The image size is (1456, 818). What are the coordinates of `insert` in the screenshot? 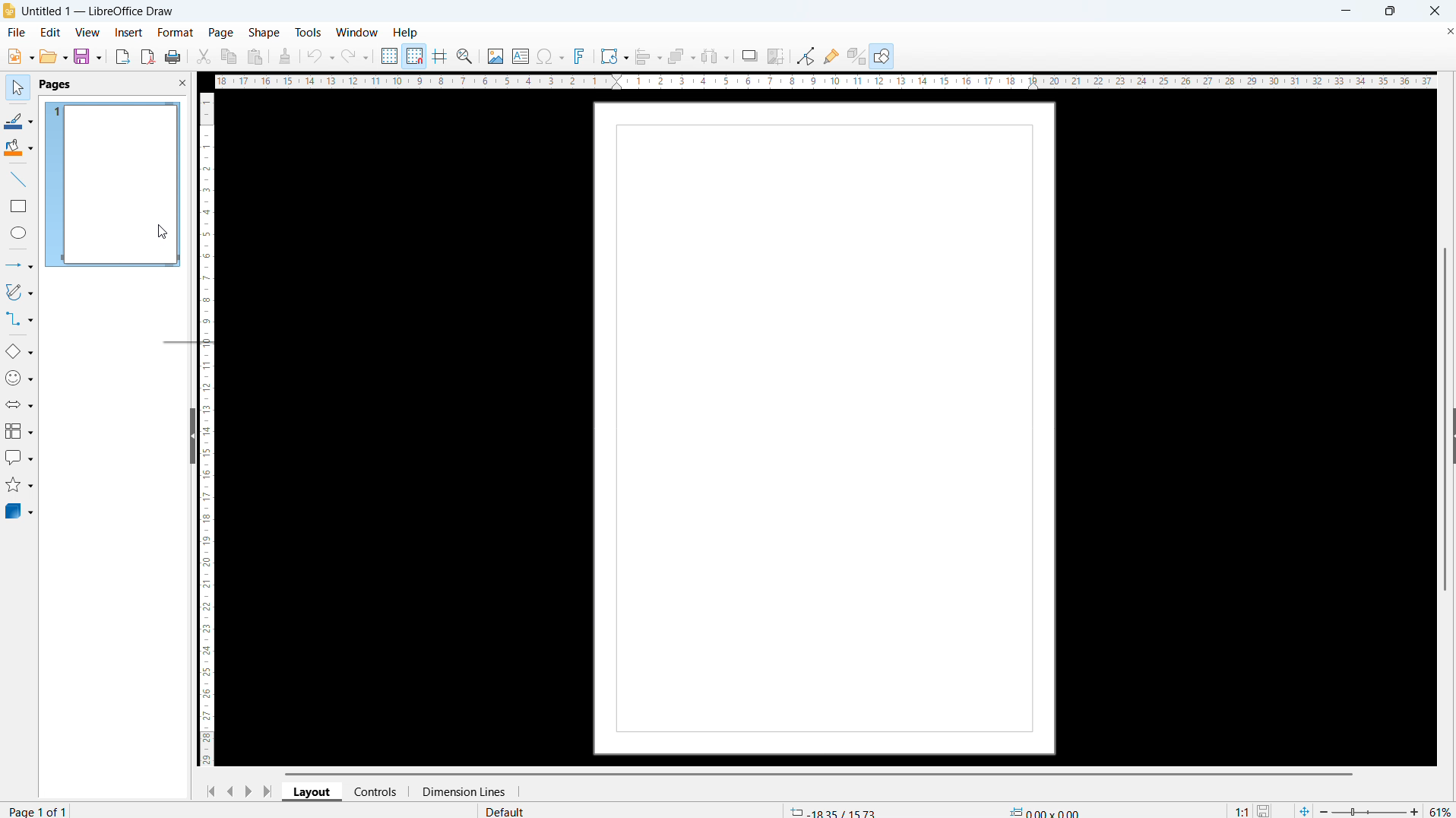 It's located at (128, 33).